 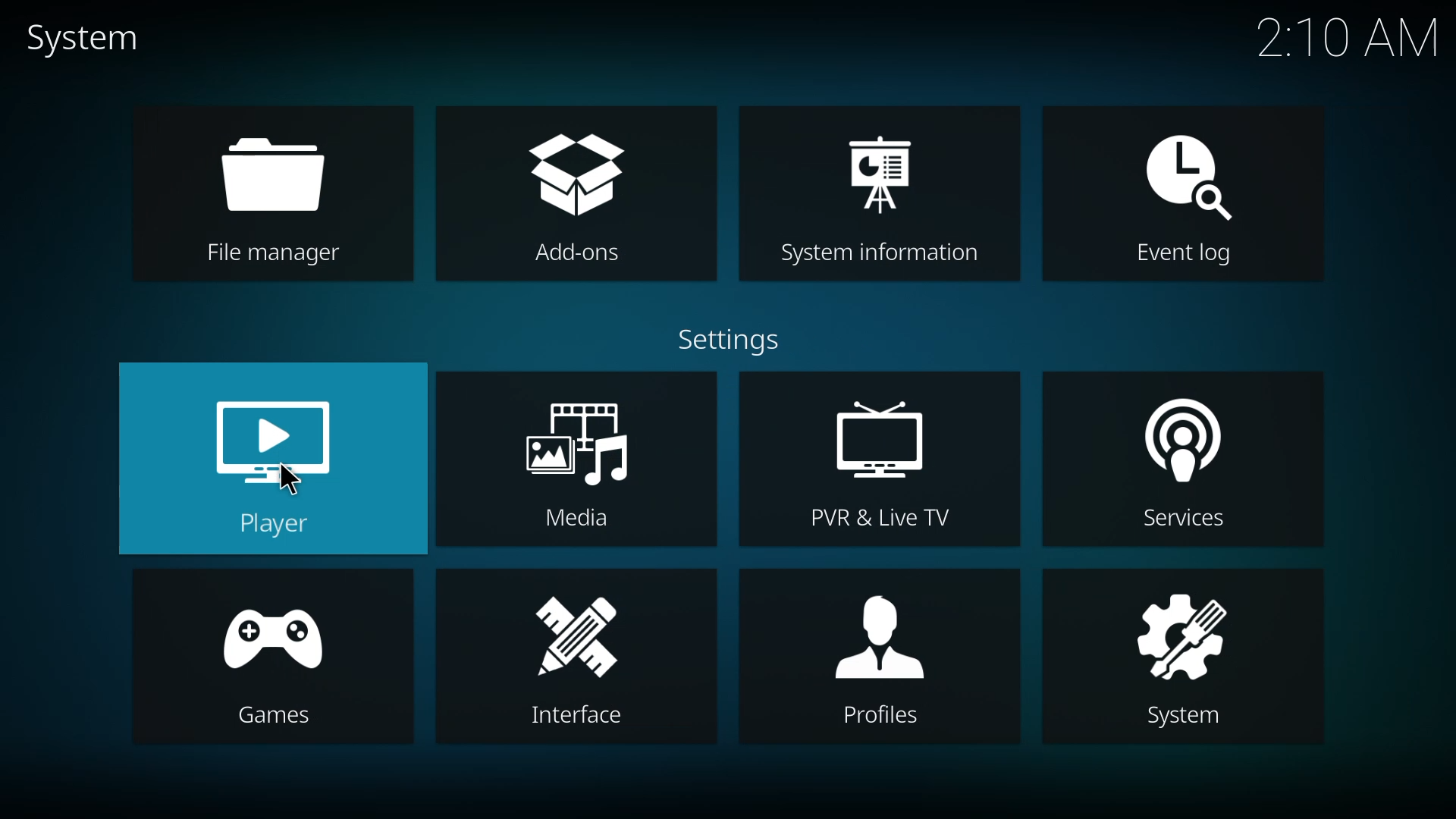 I want to click on services, so click(x=1180, y=461).